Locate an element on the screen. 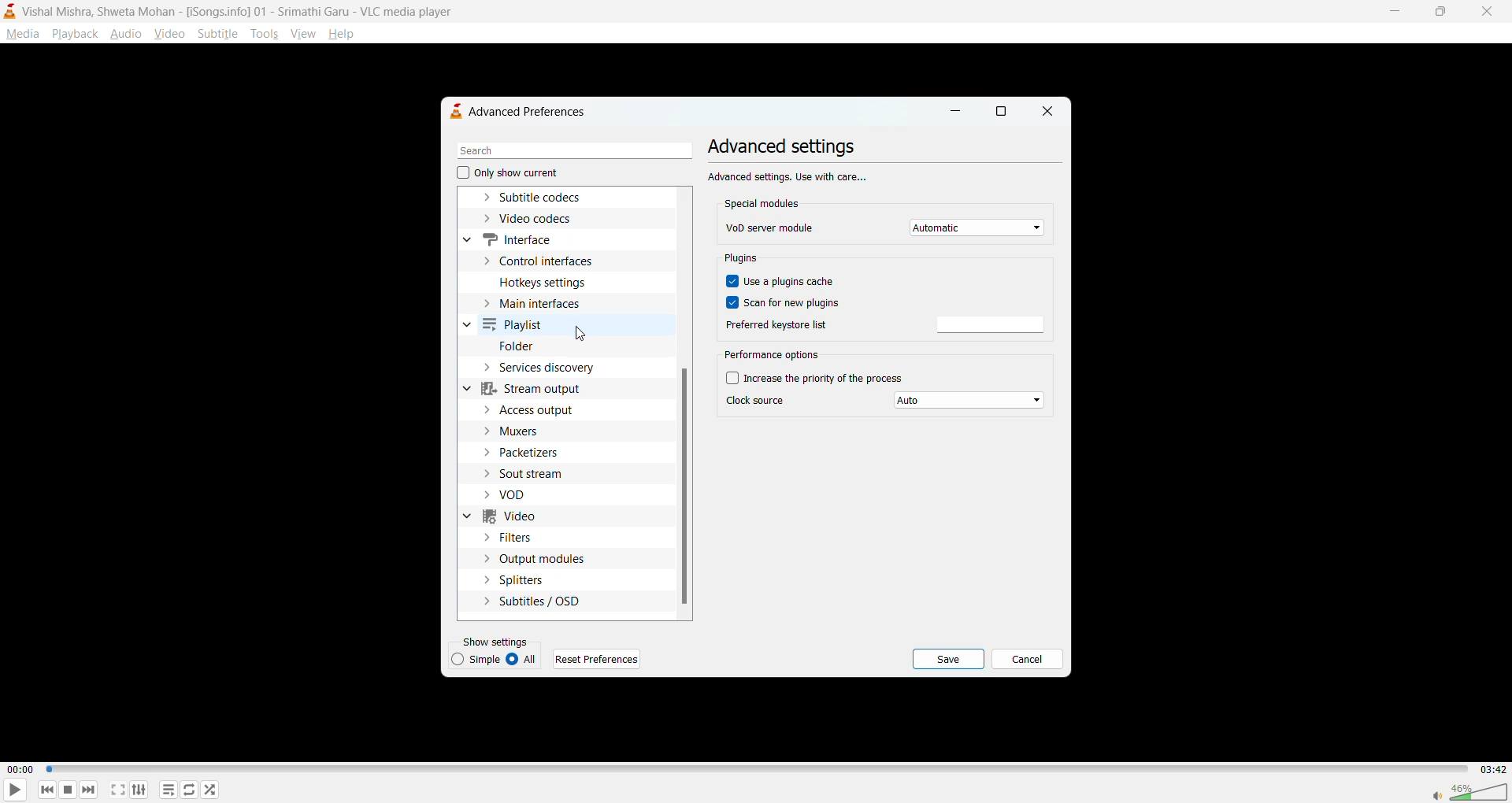  muxers is located at coordinates (525, 432).